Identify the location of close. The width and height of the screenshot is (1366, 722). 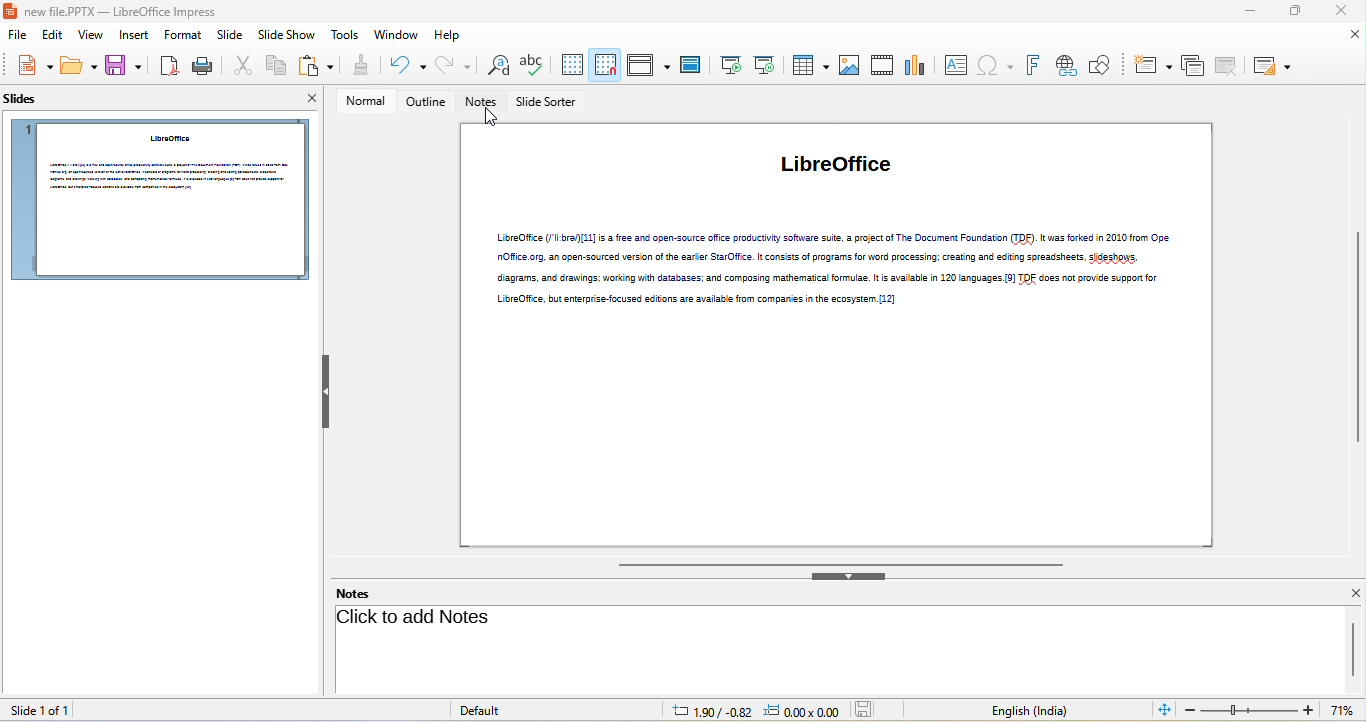
(304, 101).